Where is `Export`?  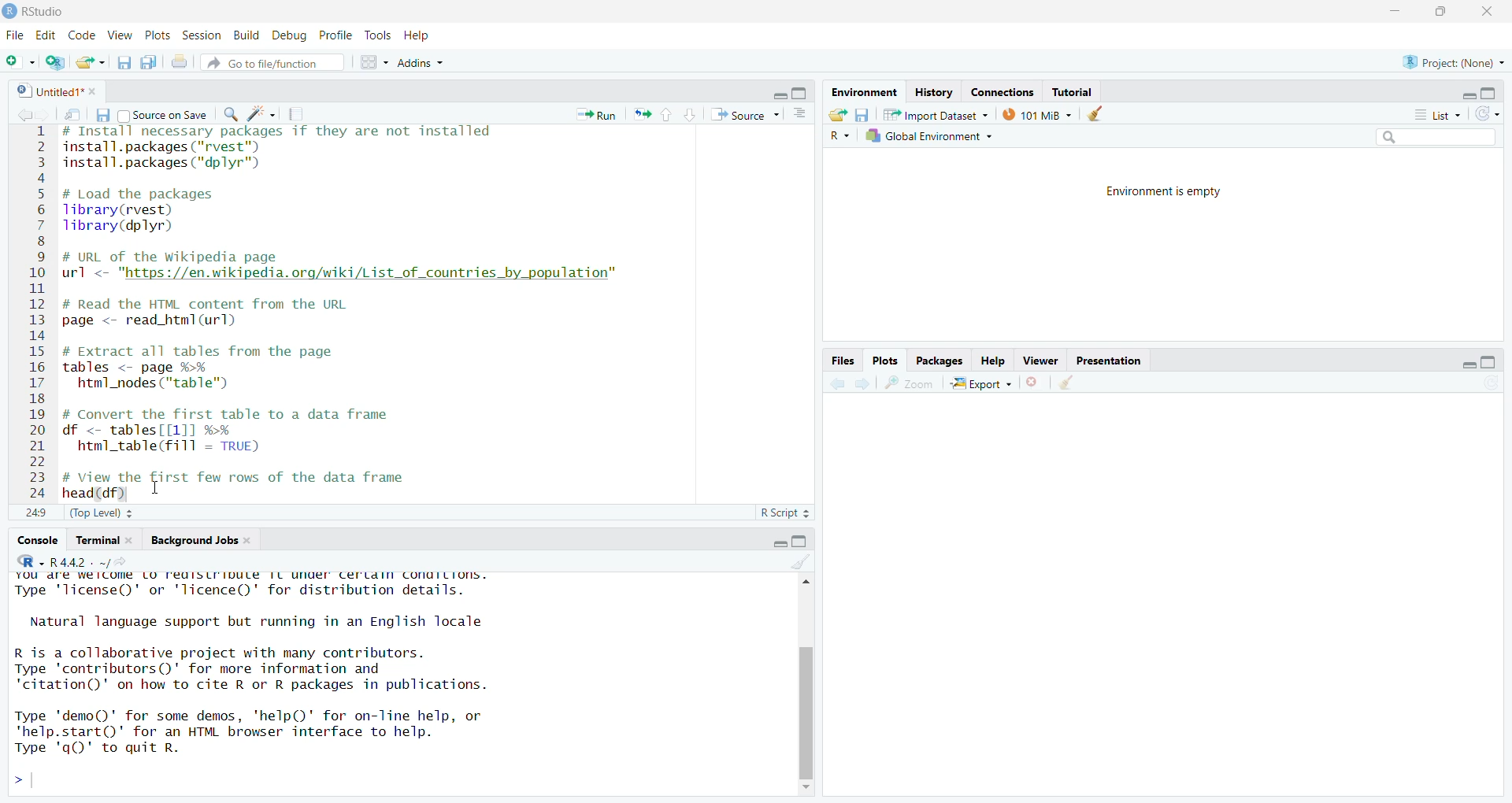
Export is located at coordinates (982, 383).